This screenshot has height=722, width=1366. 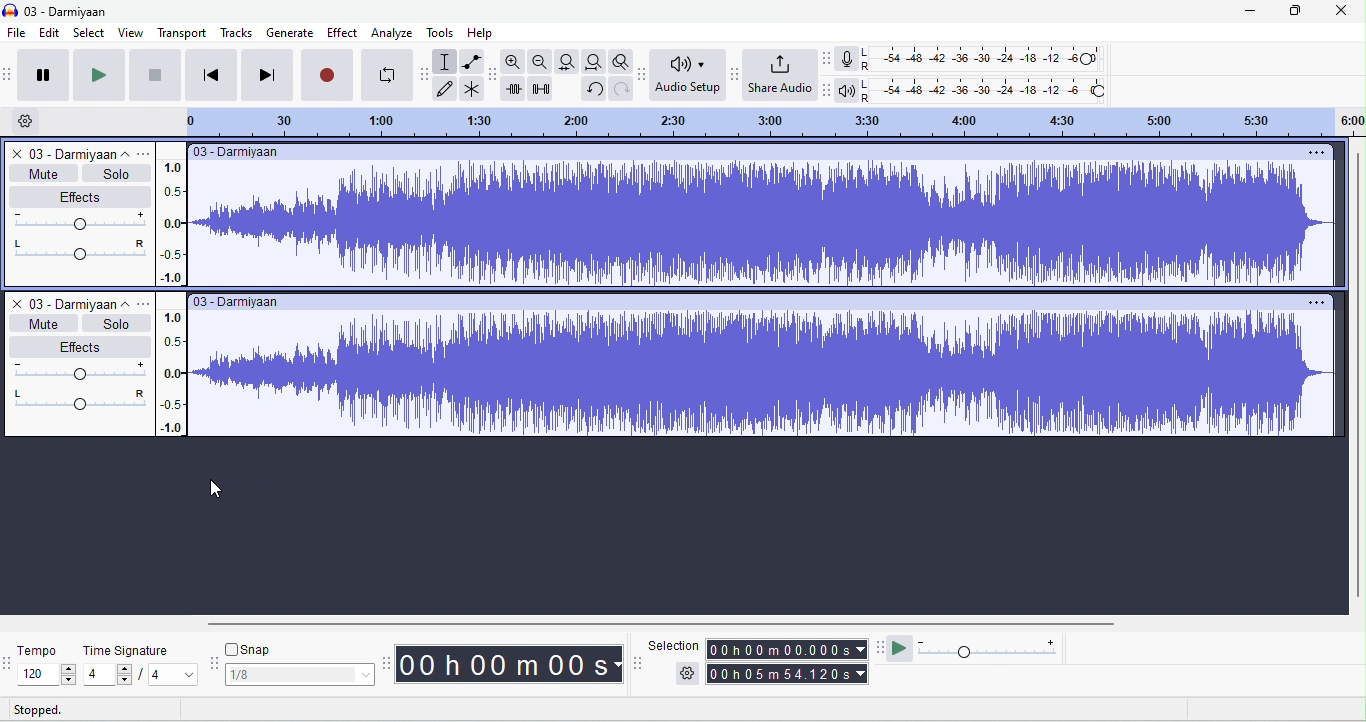 I want to click on analyze, so click(x=394, y=32).